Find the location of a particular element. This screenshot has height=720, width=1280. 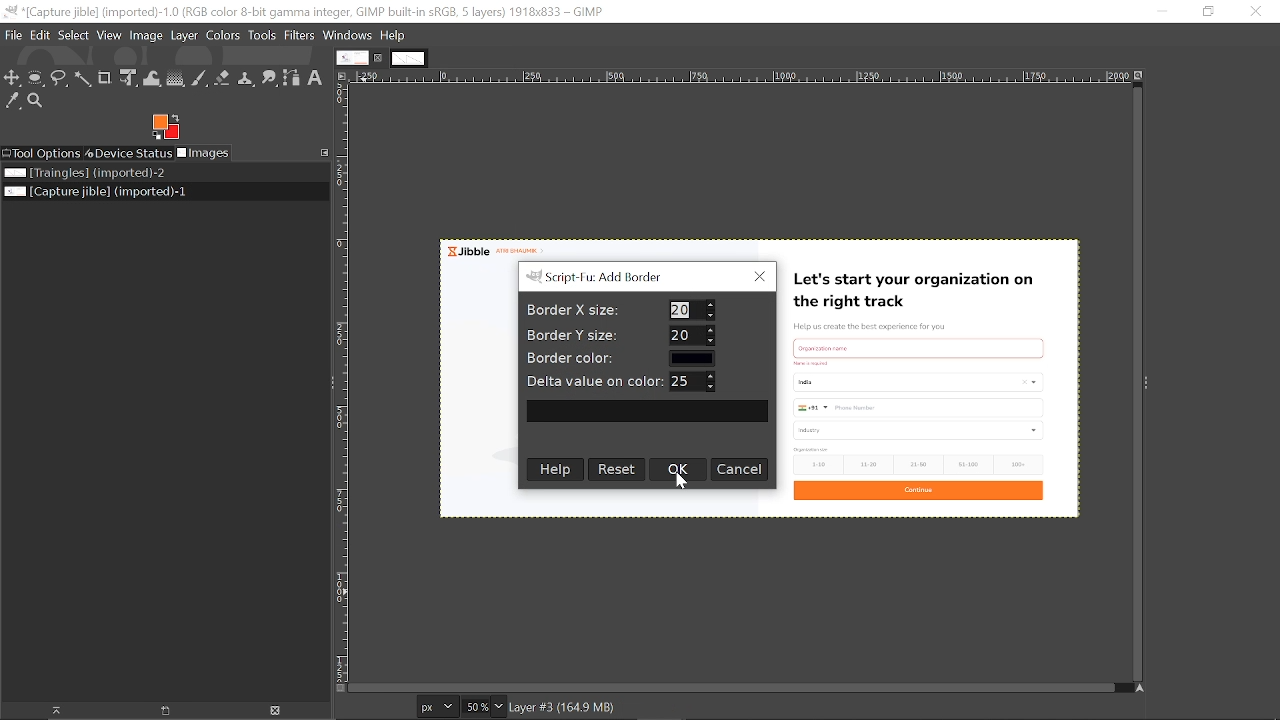

Raise the image display is located at coordinates (51, 711).